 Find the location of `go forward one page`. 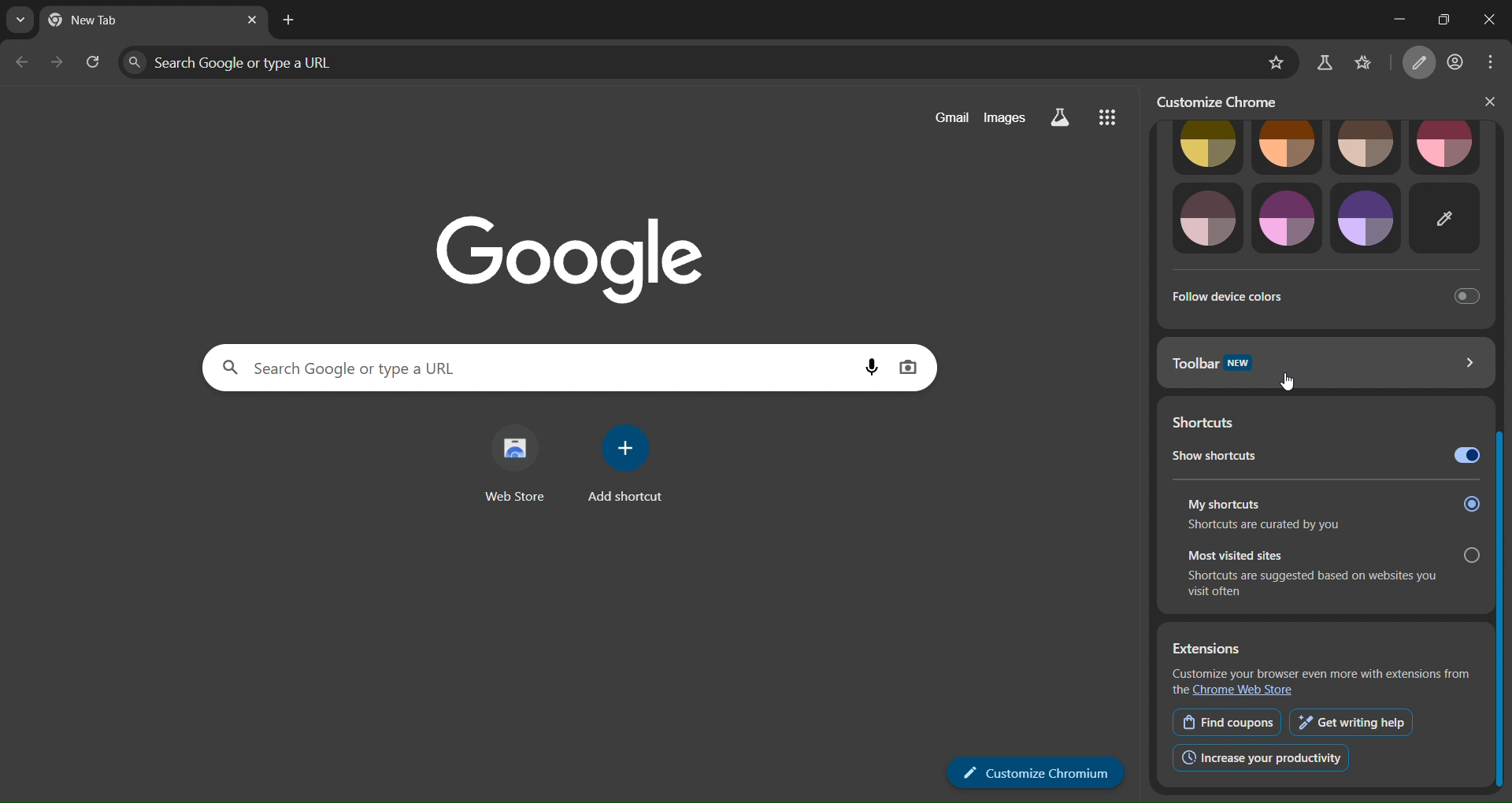

go forward one page is located at coordinates (60, 66).